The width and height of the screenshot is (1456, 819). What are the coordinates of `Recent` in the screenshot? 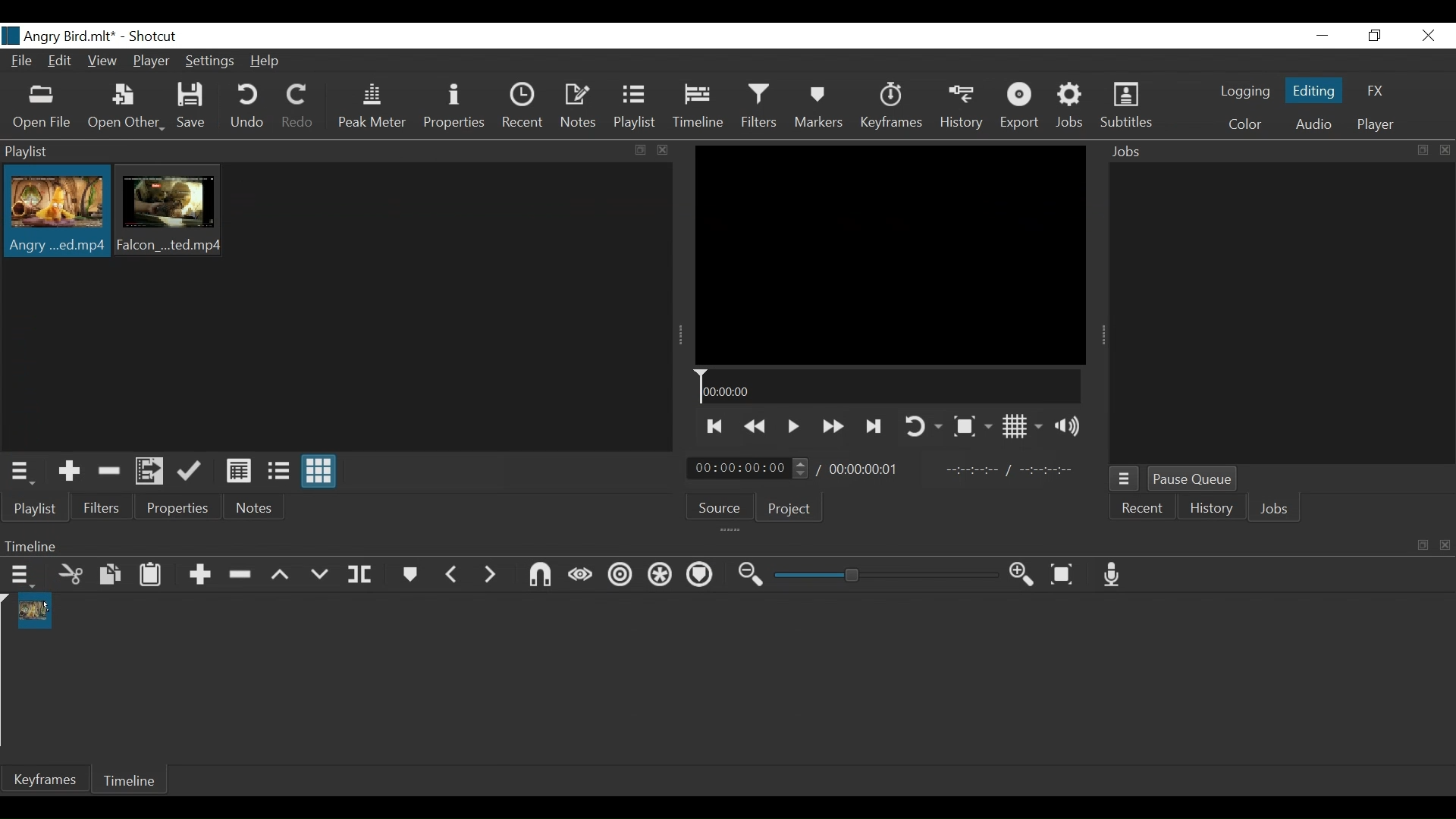 It's located at (1143, 507).